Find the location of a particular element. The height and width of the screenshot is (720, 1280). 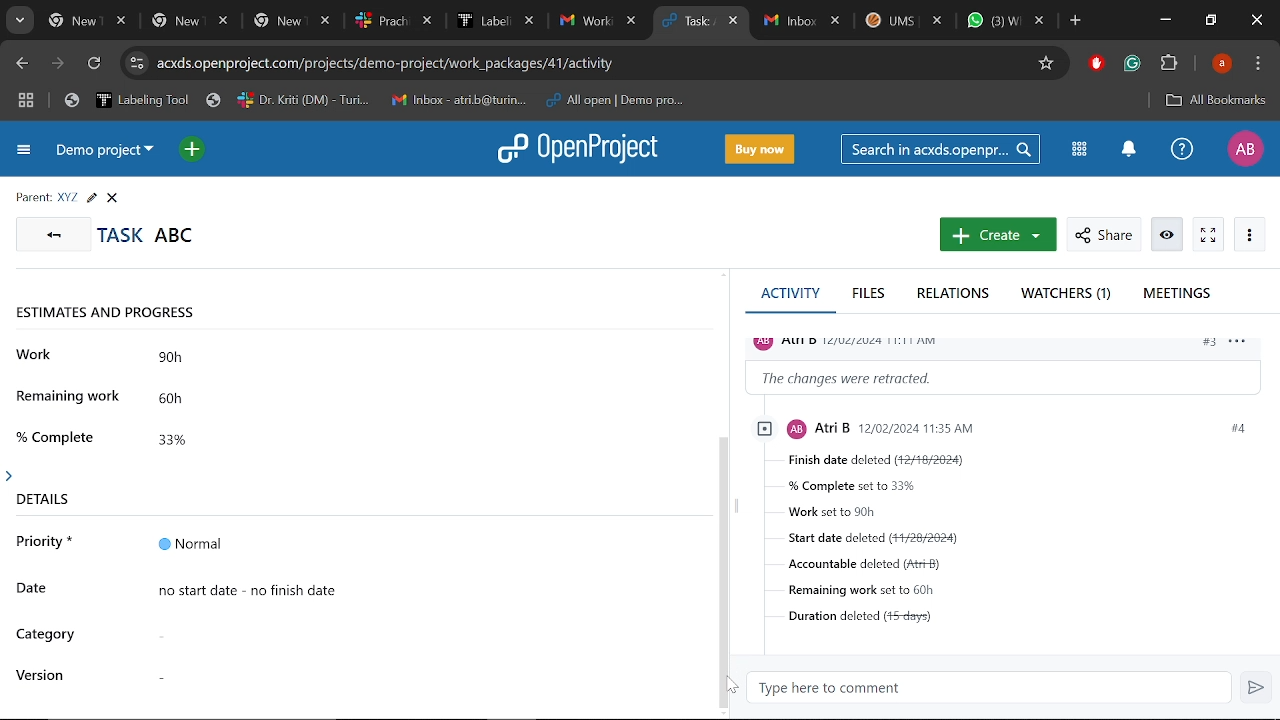

Buy now is located at coordinates (762, 150).